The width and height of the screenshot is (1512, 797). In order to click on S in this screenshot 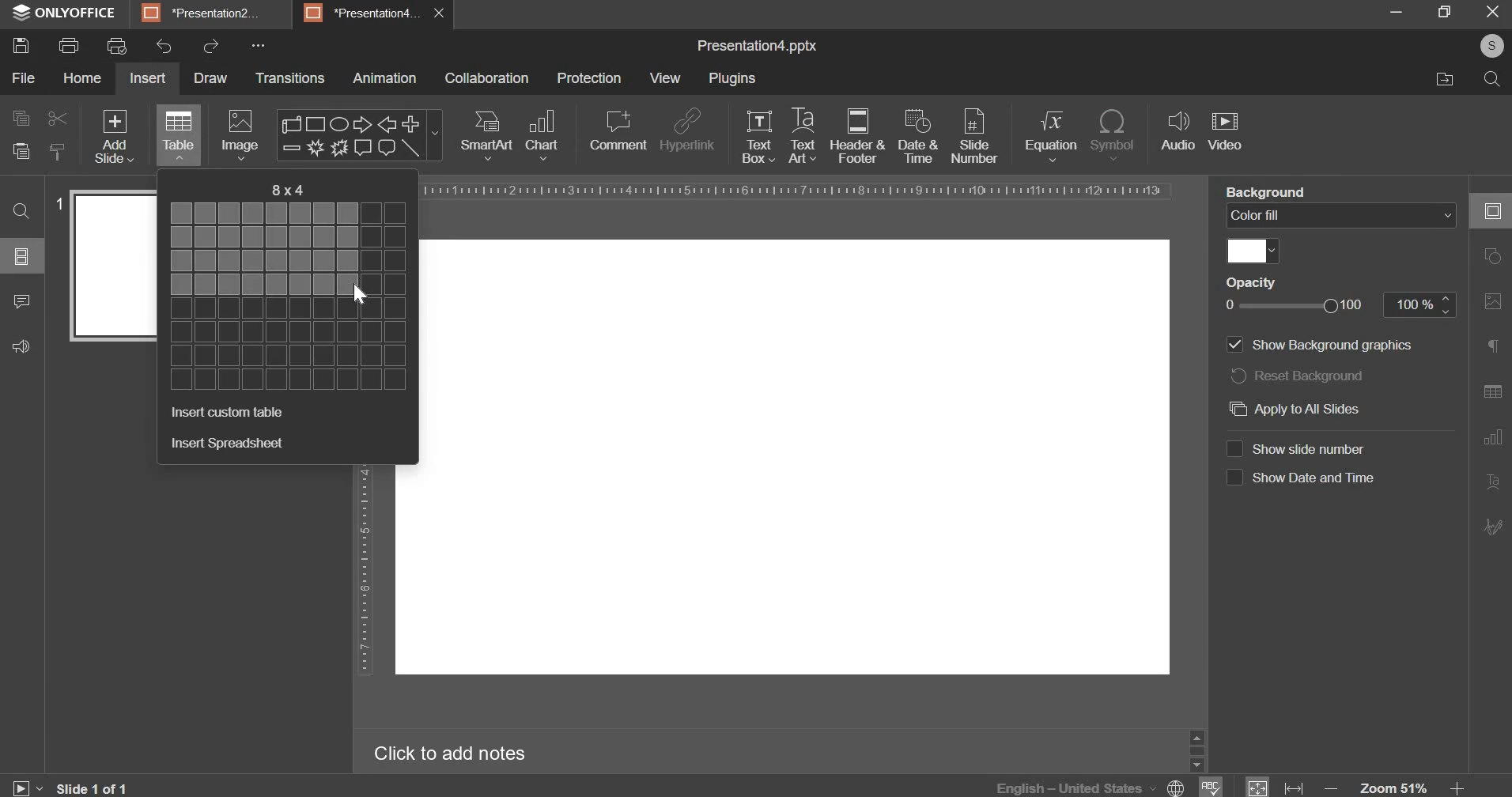, I will do `click(1494, 46)`.